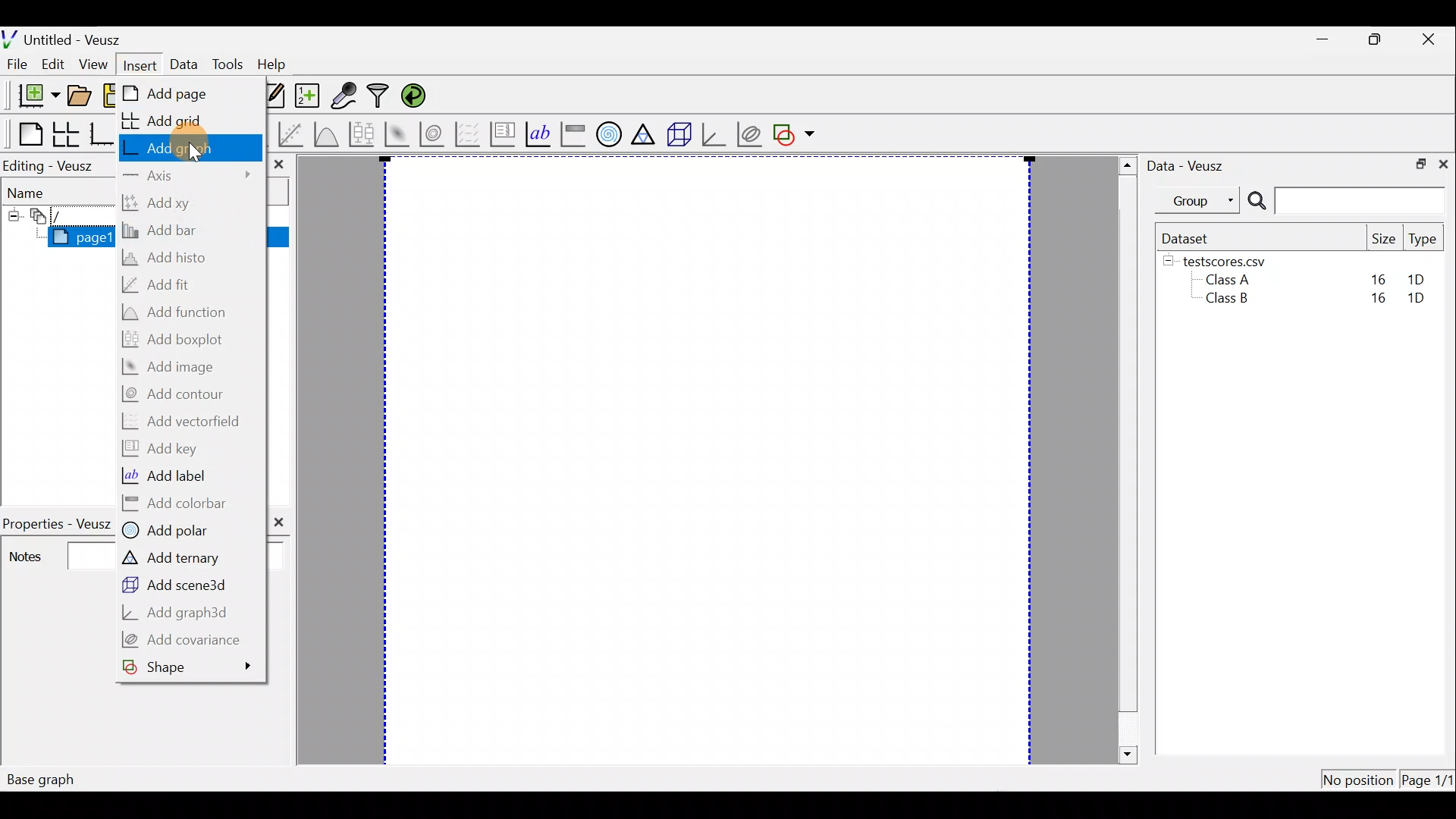 This screenshot has width=1456, height=819. I want to click on Plot key, so click(502, 134).